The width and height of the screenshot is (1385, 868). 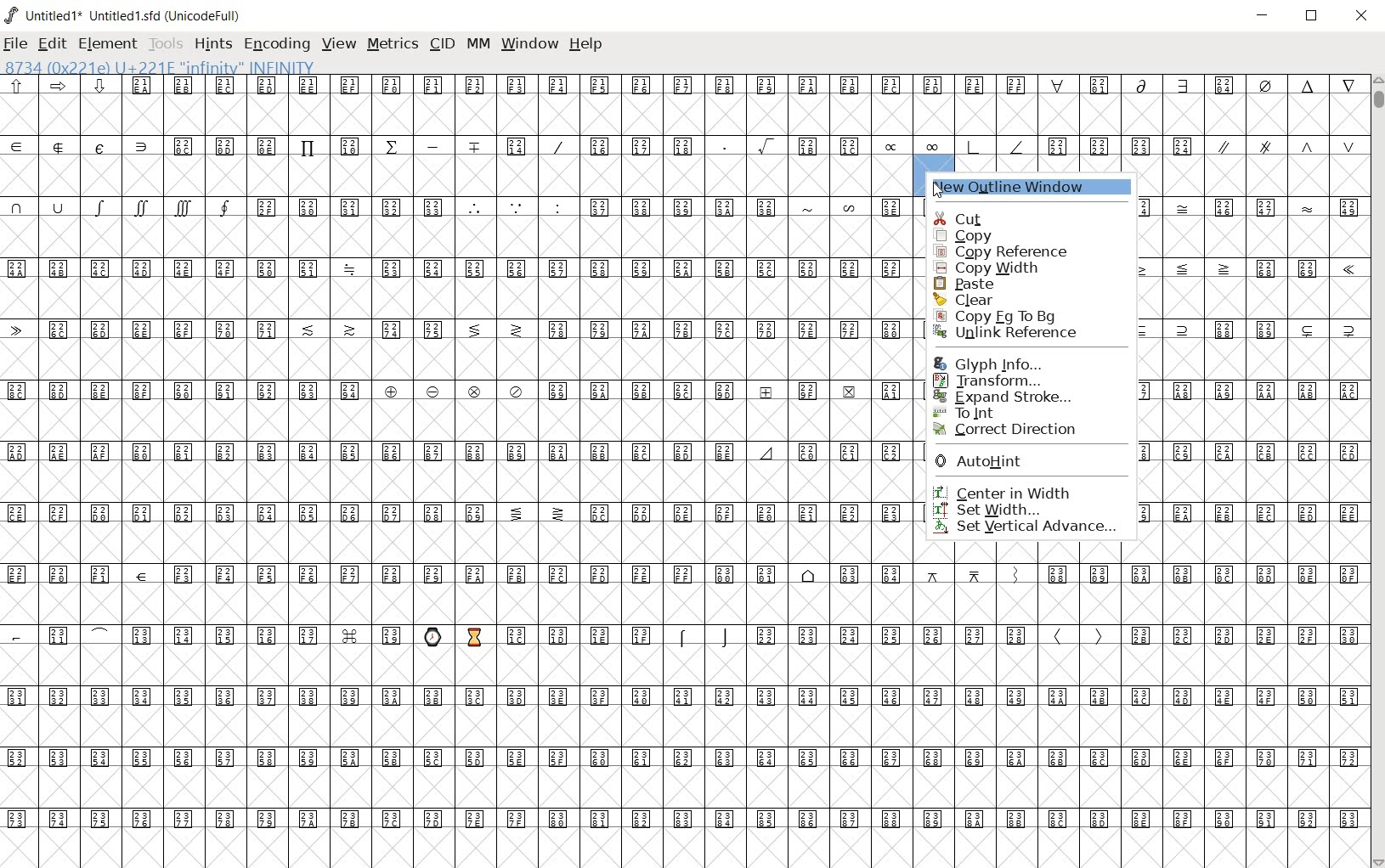 I want to click on empty glyph slots, so click(x=464, y=358).